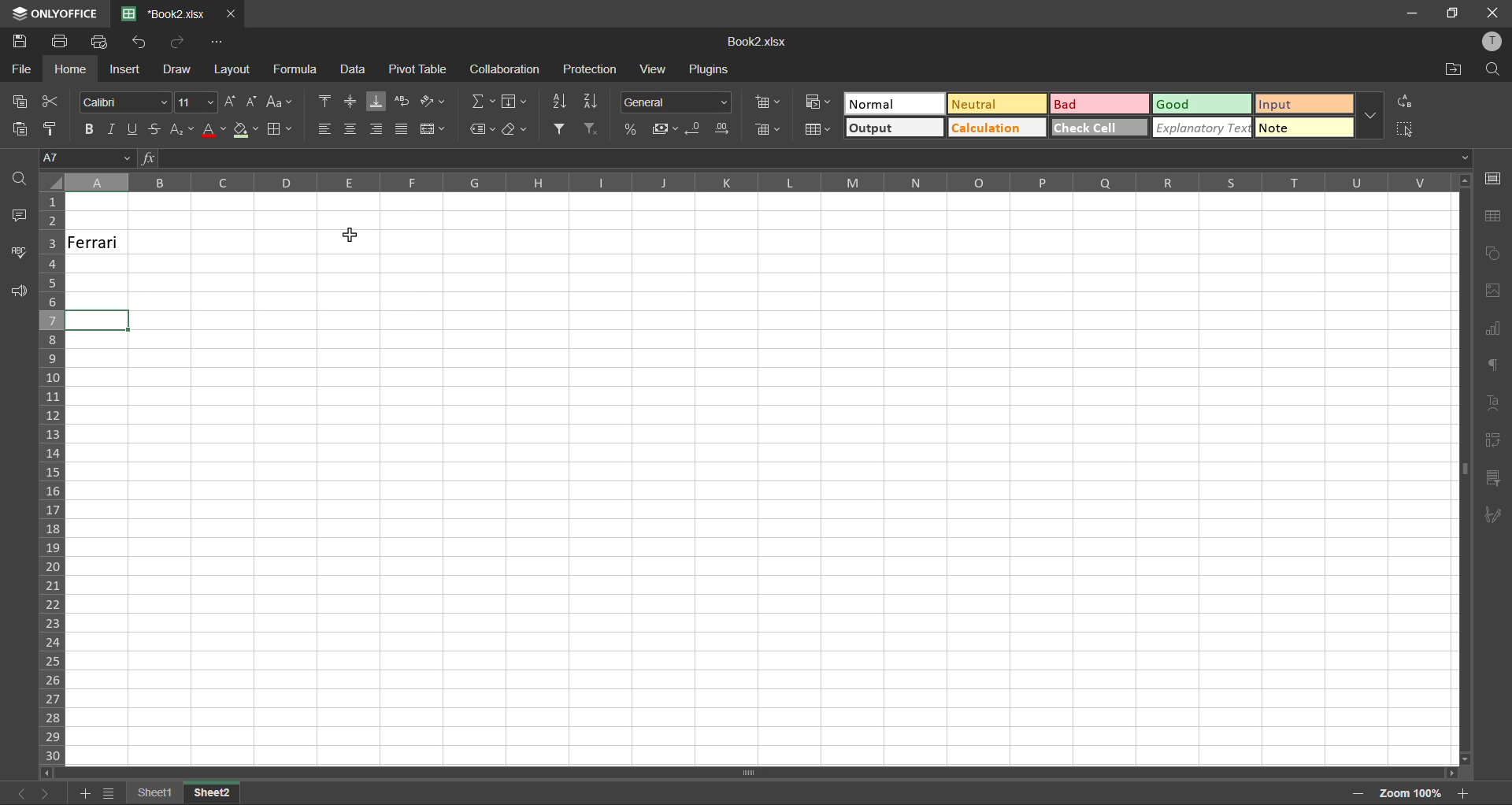 This screenshot has width=1512, height=805. What do you see at coordinates (53, 13) in the screenshot?
I see `OnlyOffice` at bounding box center [53, 13].